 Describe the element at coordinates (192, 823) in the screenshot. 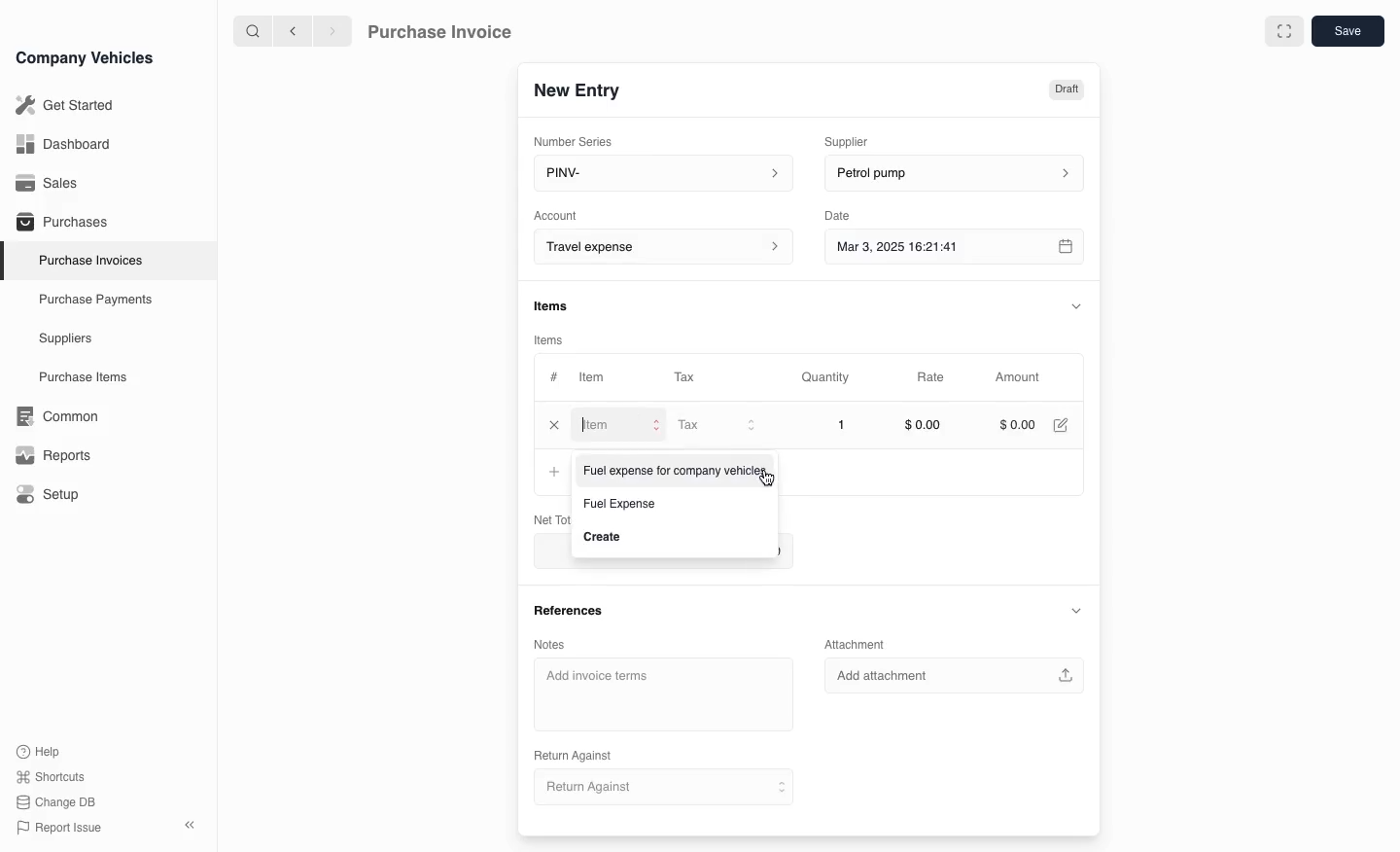

I see `close sidebar` at that location.